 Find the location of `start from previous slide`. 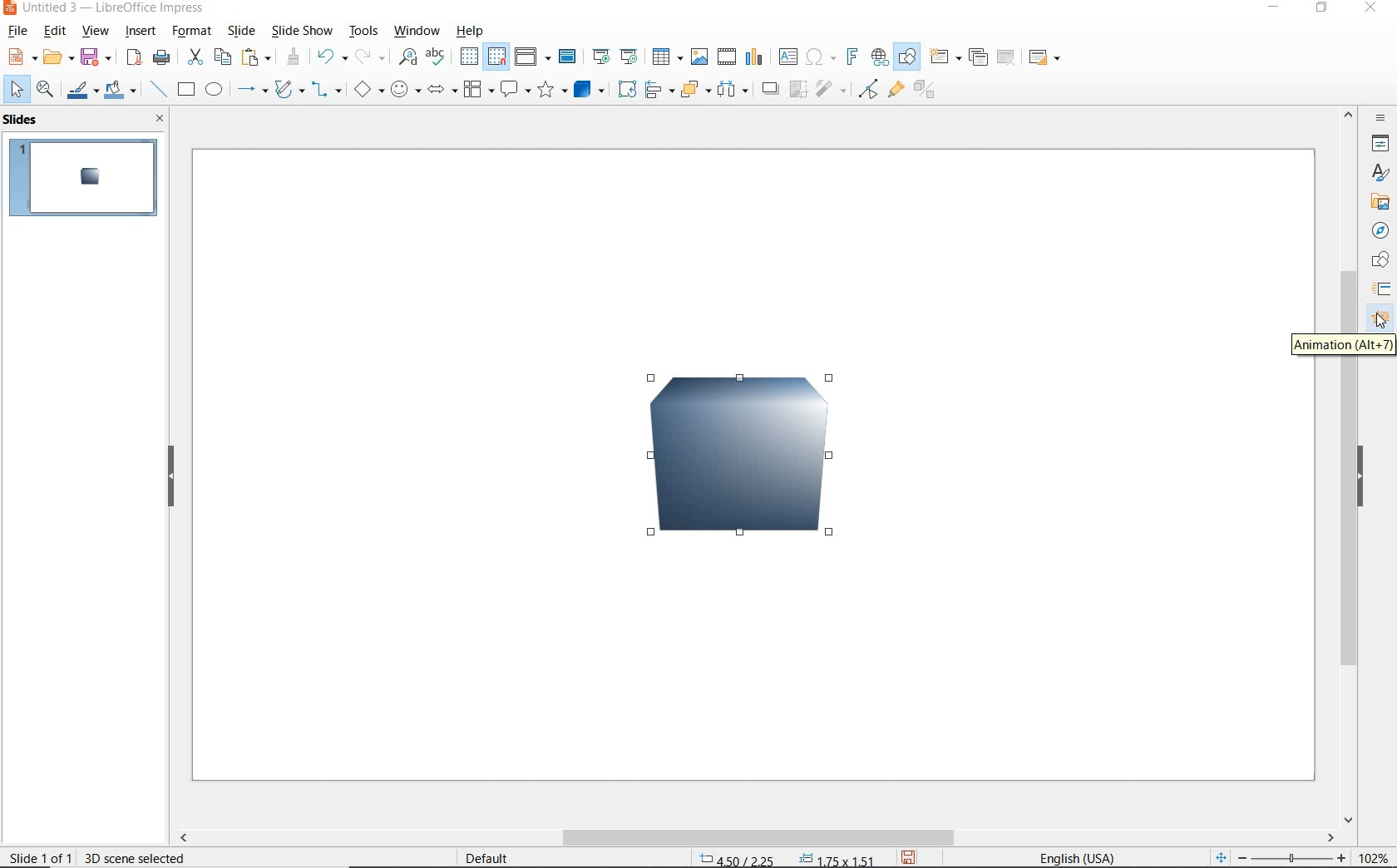

start from previous slide is located at coordinates (600, 56).